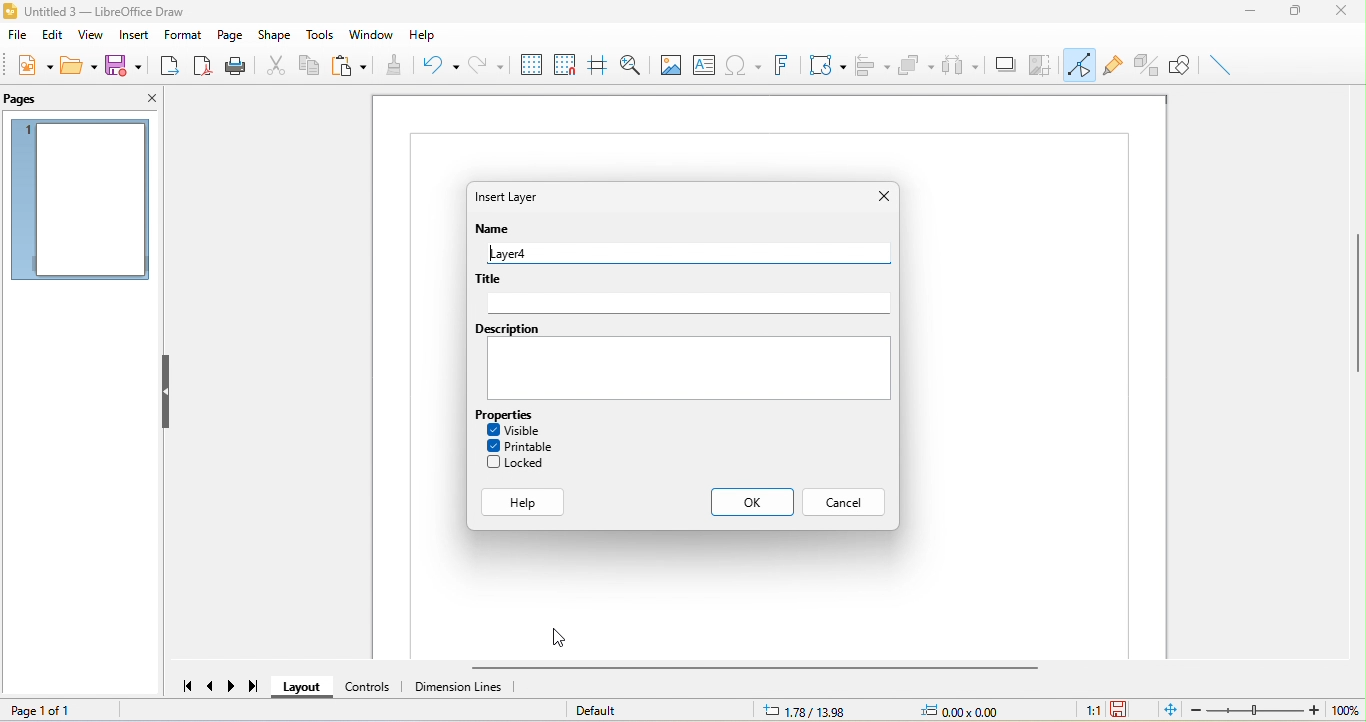 Image resolution: width=1366 pixels, height=722 pixels. I want to click on Help, so click(521, 503).